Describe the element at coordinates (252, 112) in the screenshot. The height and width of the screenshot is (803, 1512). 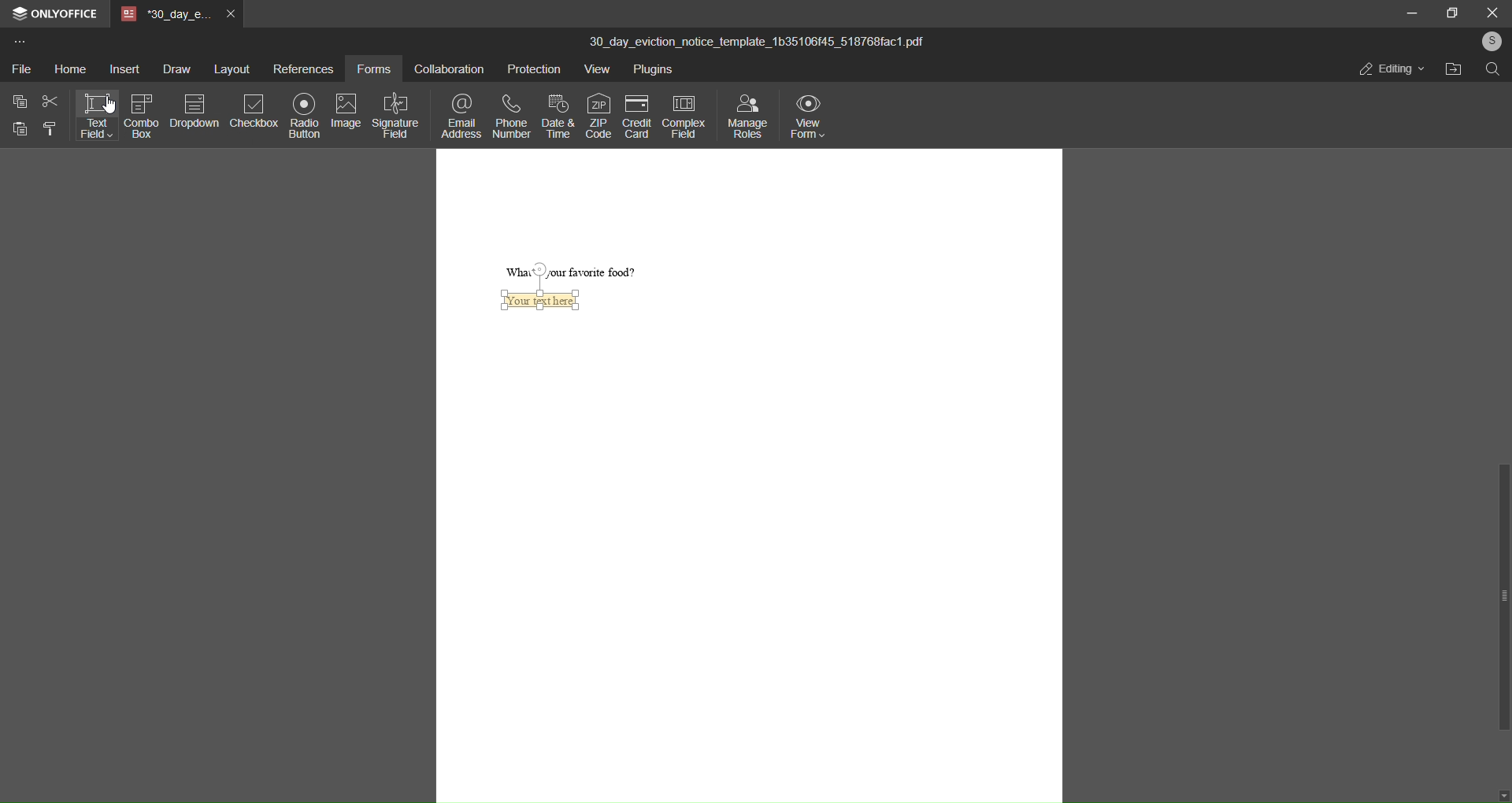
I see `checkbox` at that location.